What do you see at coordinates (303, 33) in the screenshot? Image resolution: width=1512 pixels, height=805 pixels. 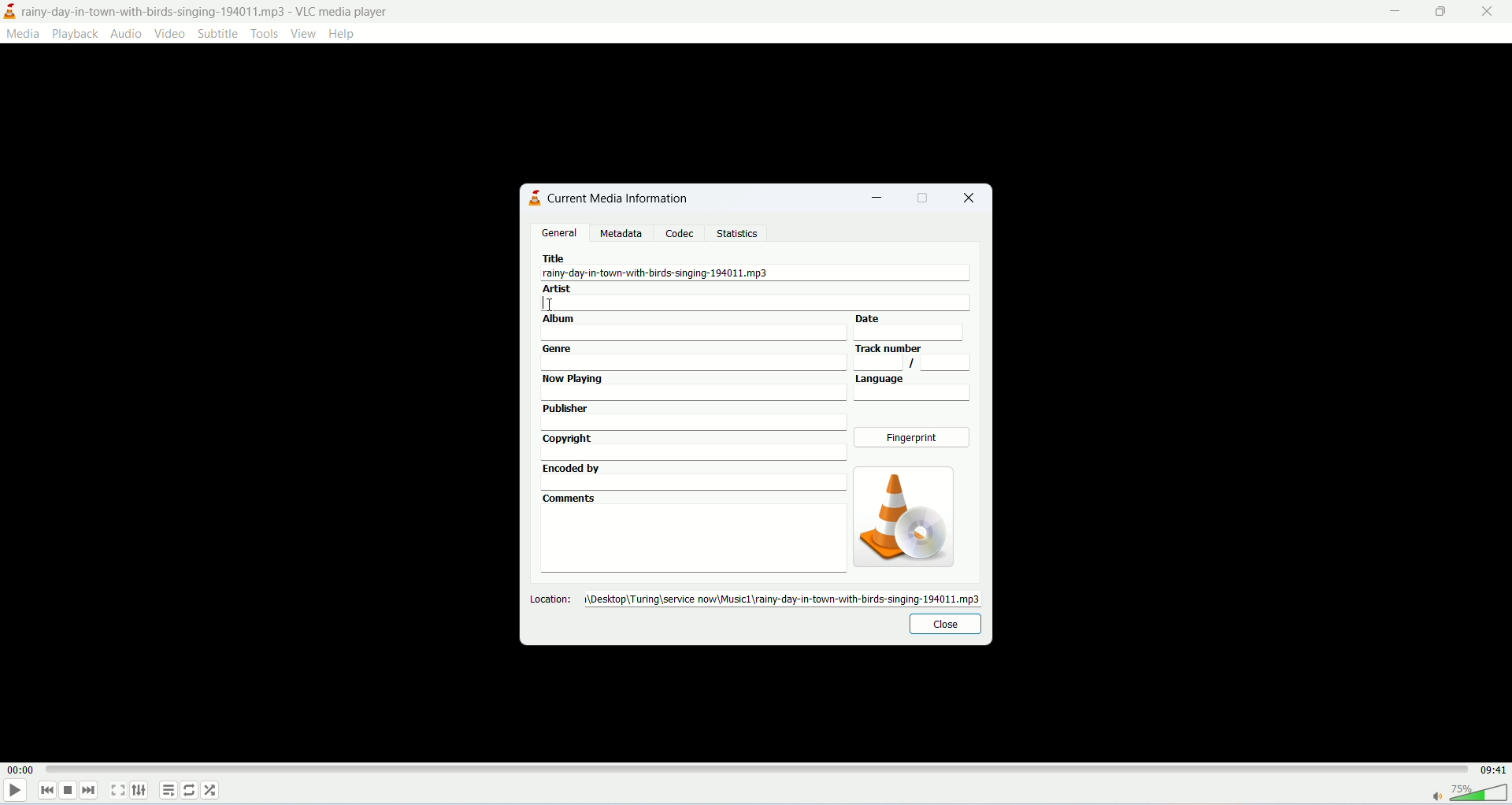 I see `view` at bounding box center [303, 33].